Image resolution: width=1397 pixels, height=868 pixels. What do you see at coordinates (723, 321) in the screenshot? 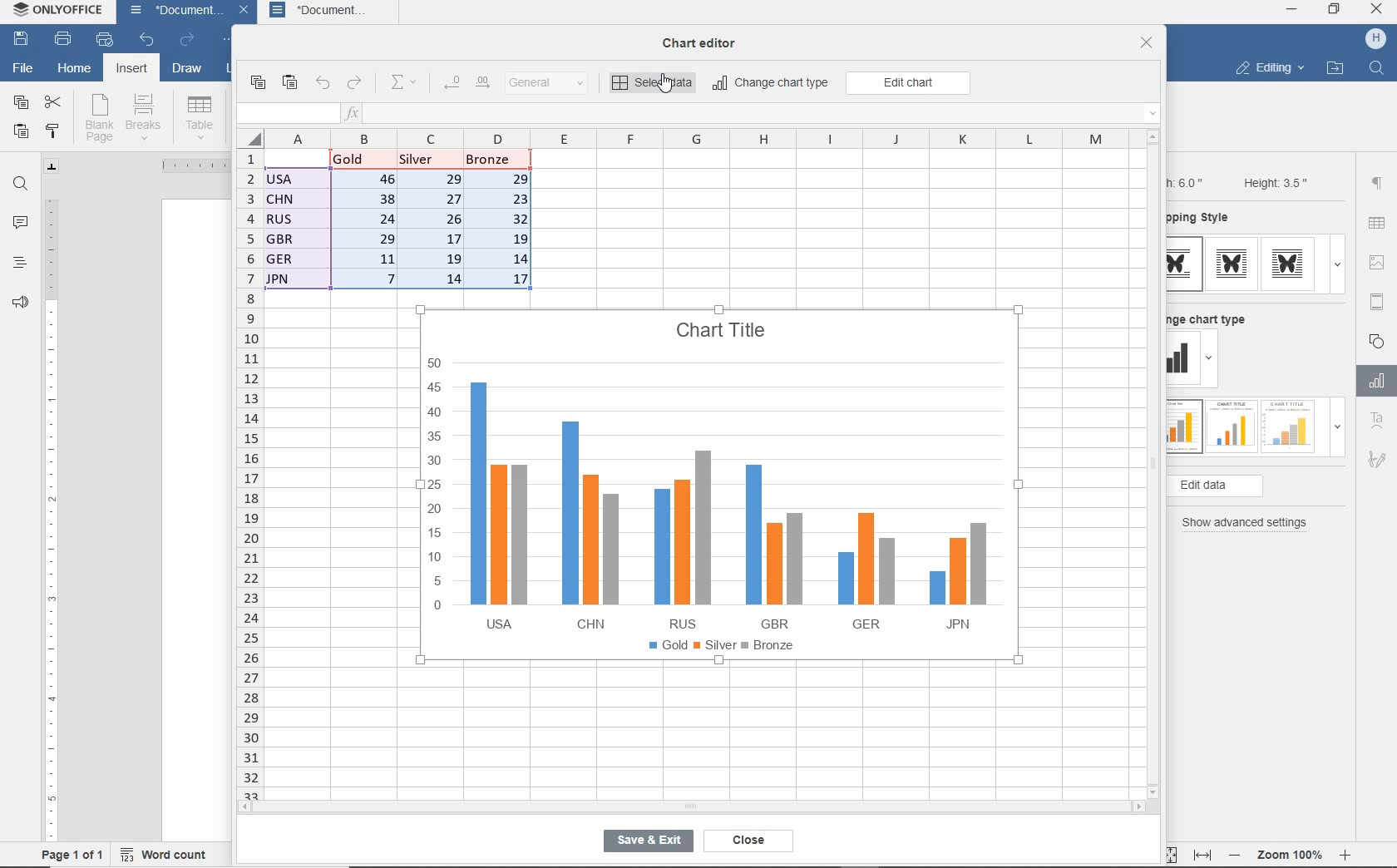
I see `Chart Title` at bounding box center [723, 321].